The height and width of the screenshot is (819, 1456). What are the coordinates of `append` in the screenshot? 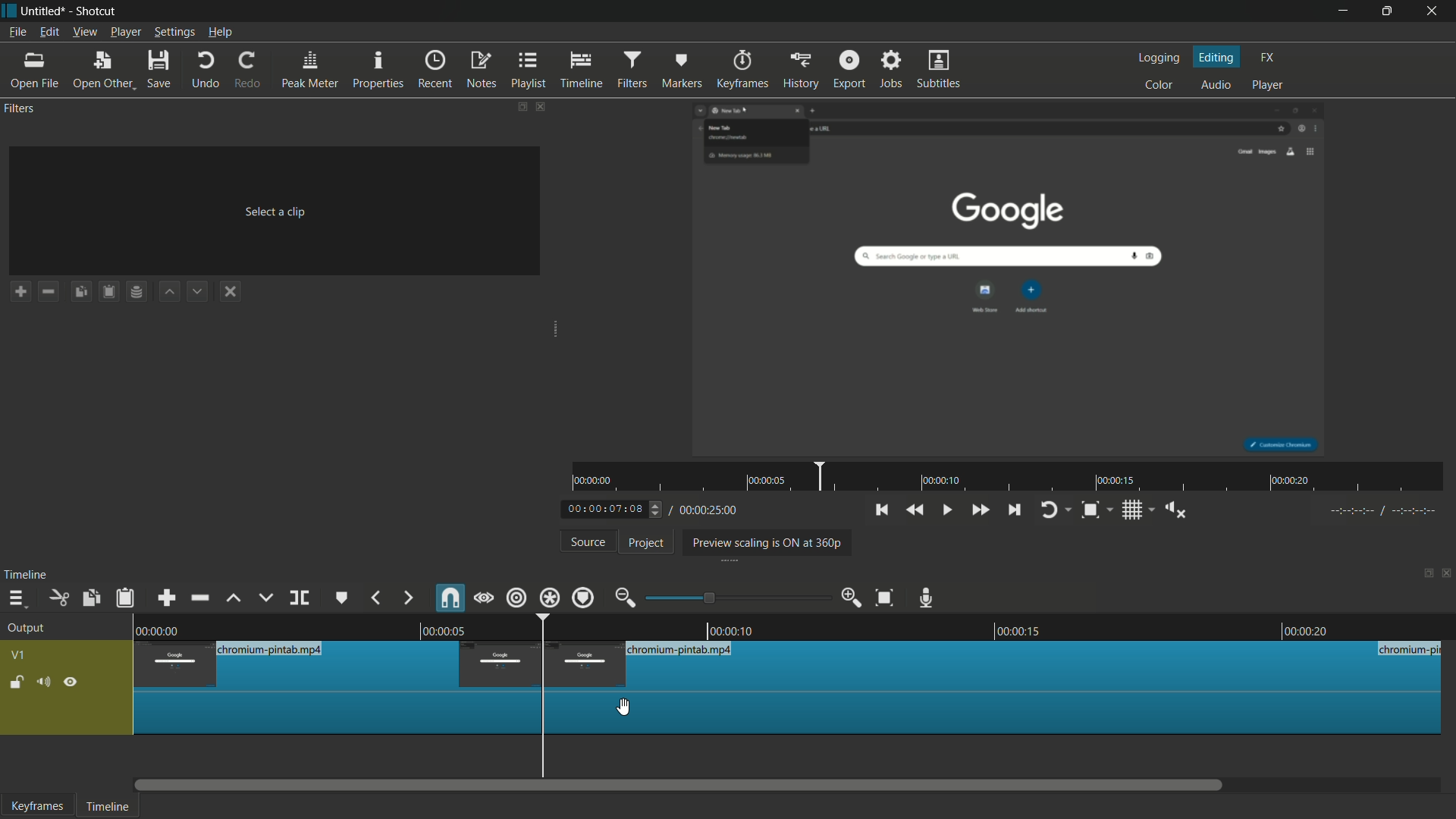 It's located at (165, 599).